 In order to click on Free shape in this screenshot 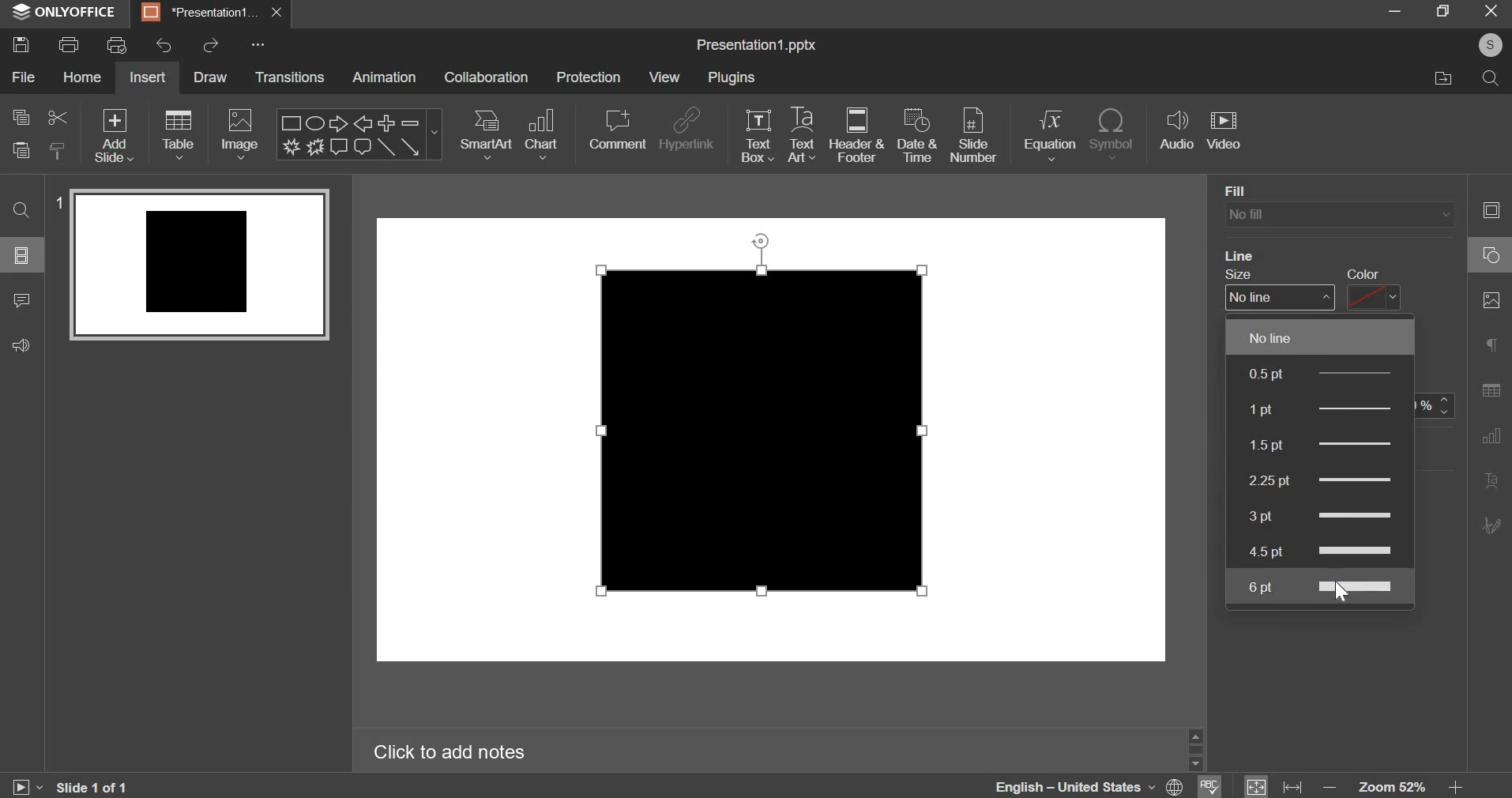, I will do `click(292, 146)`.